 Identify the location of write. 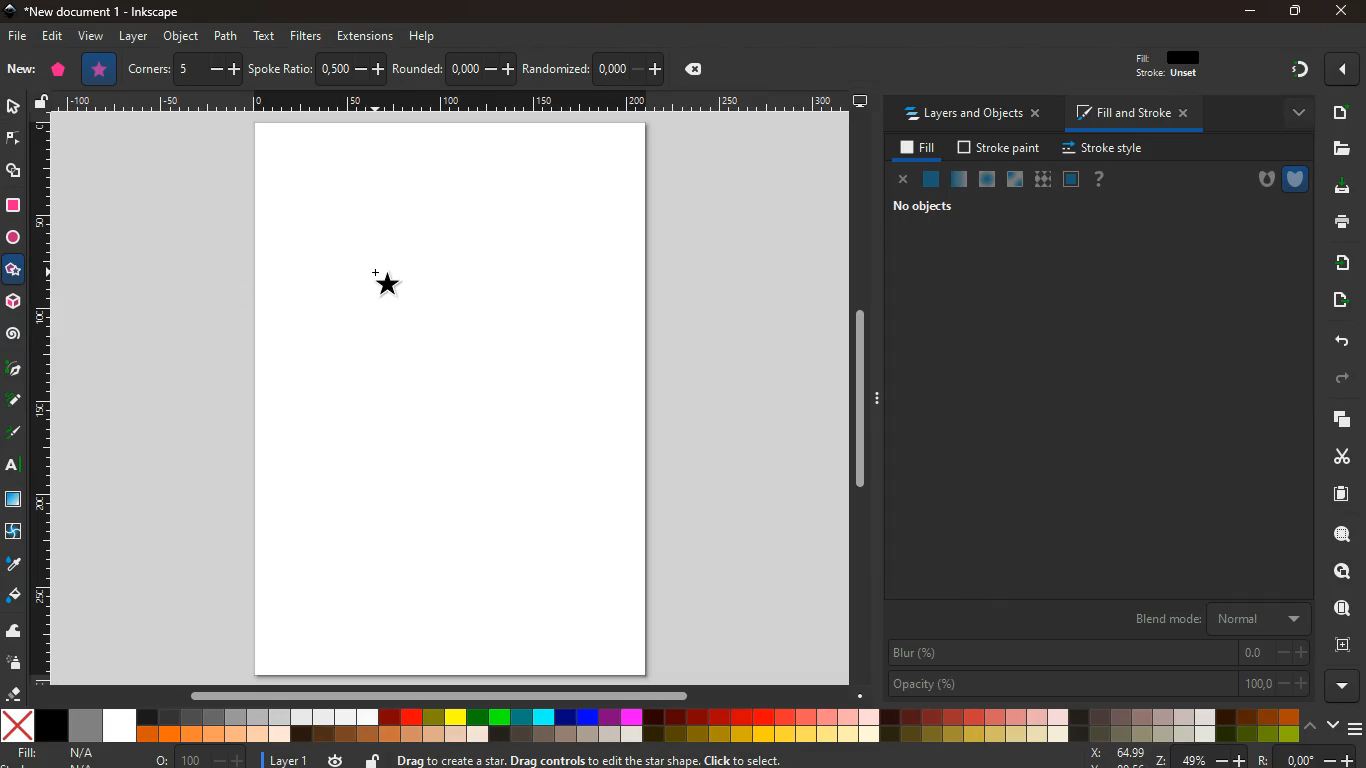
(14, 430).